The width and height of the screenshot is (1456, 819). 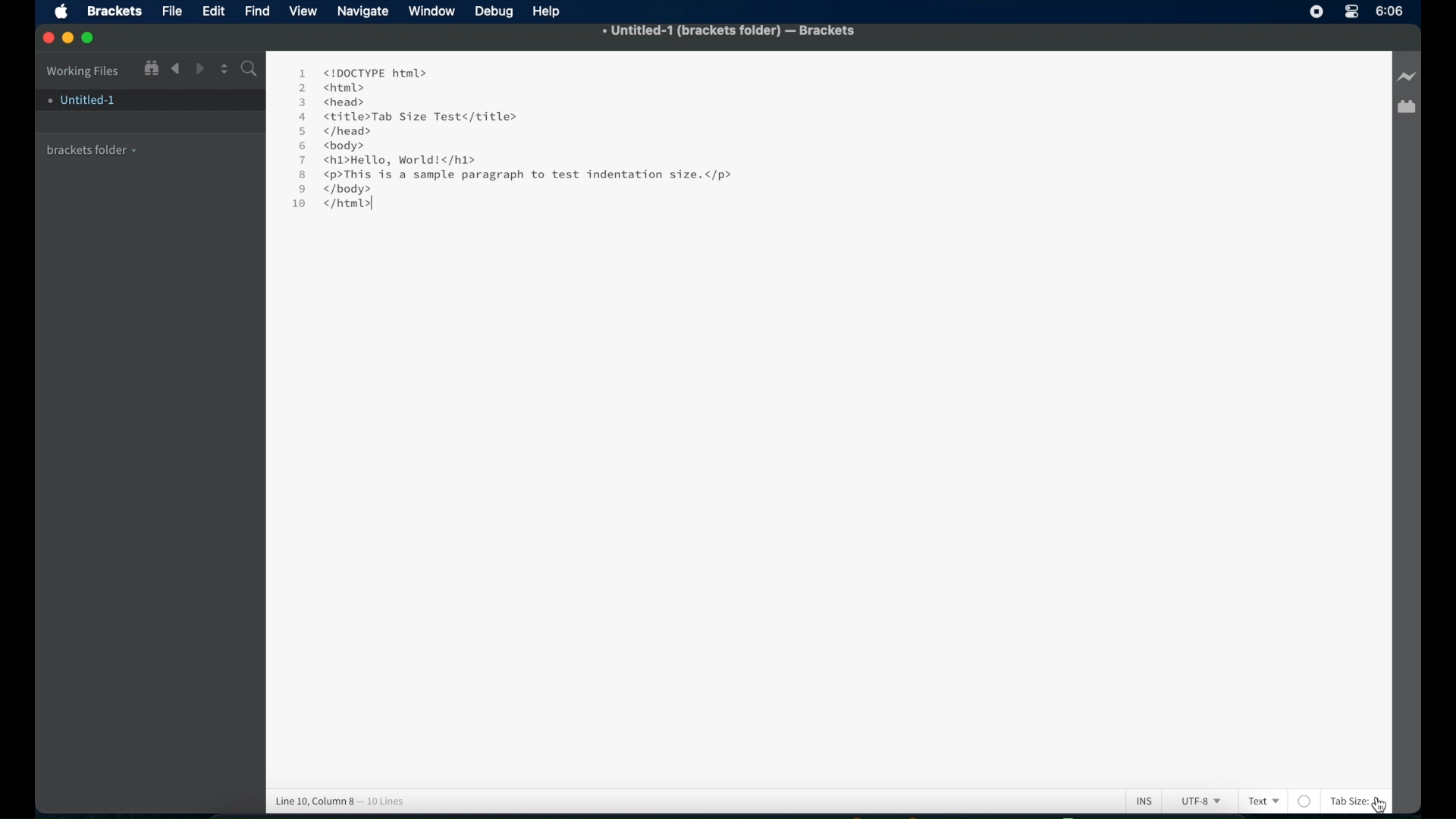 I want to click on 2 <html>, so click(x=331, y=87).